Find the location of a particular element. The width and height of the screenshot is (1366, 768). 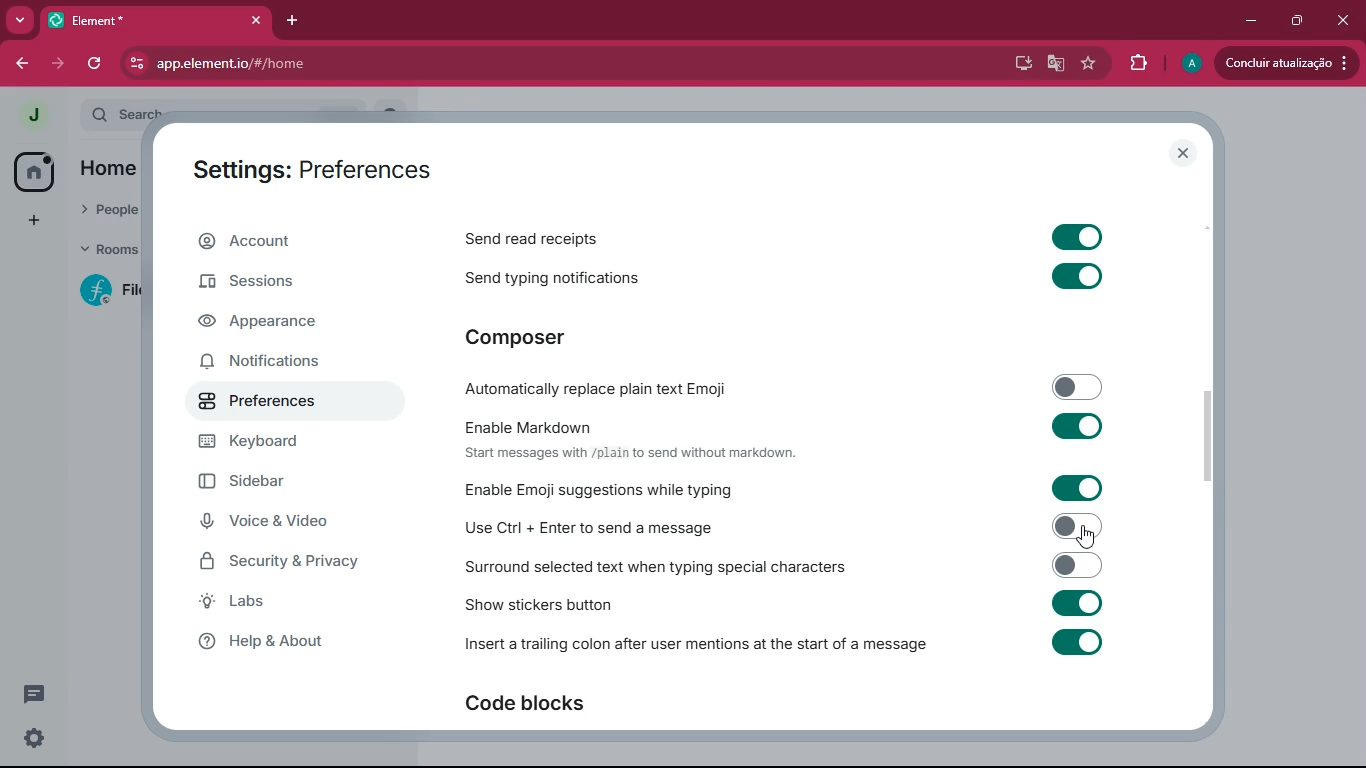

home is located at coordinates (35, 173).